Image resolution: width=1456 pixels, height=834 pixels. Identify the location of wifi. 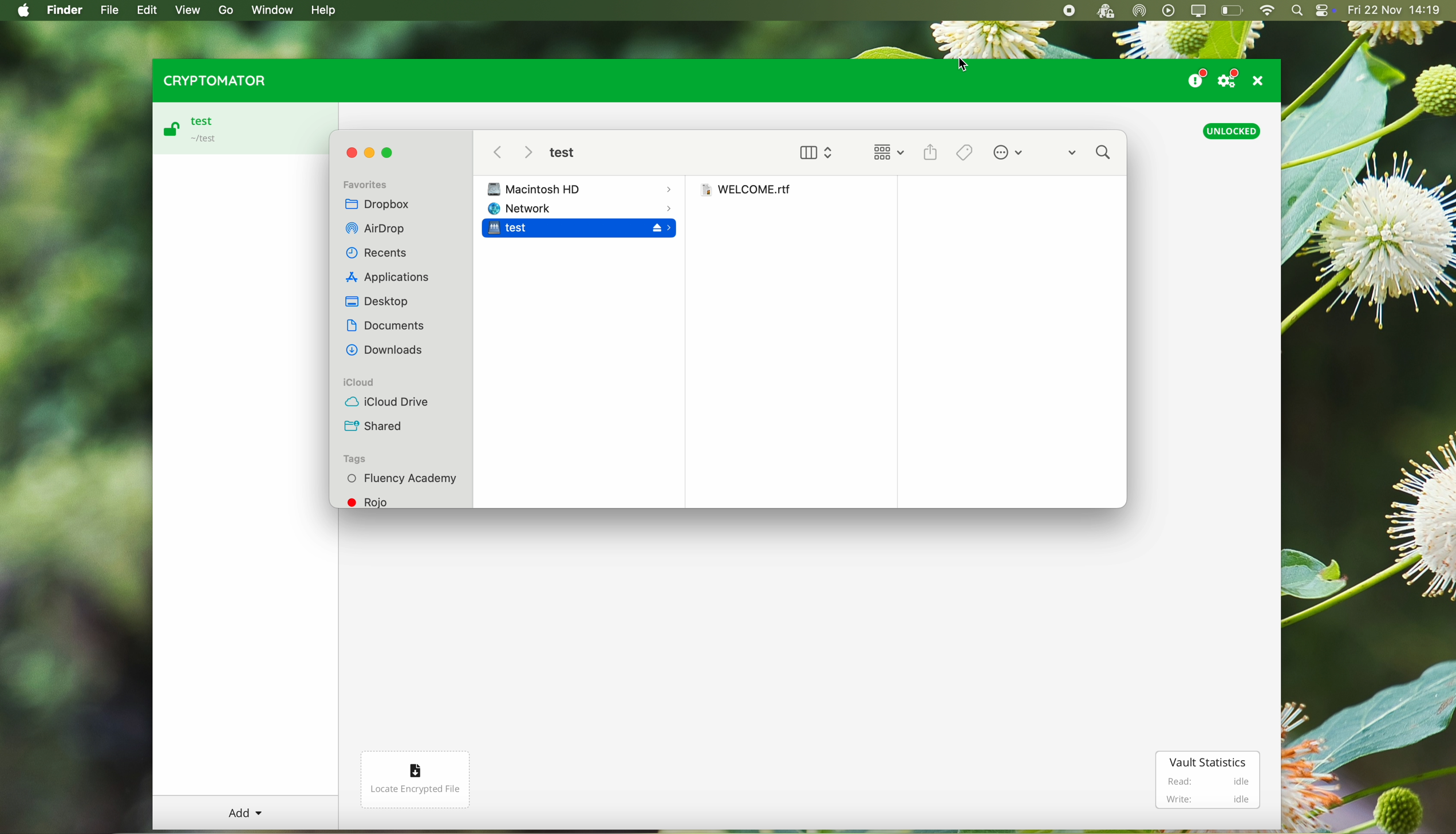
(1266, 11).